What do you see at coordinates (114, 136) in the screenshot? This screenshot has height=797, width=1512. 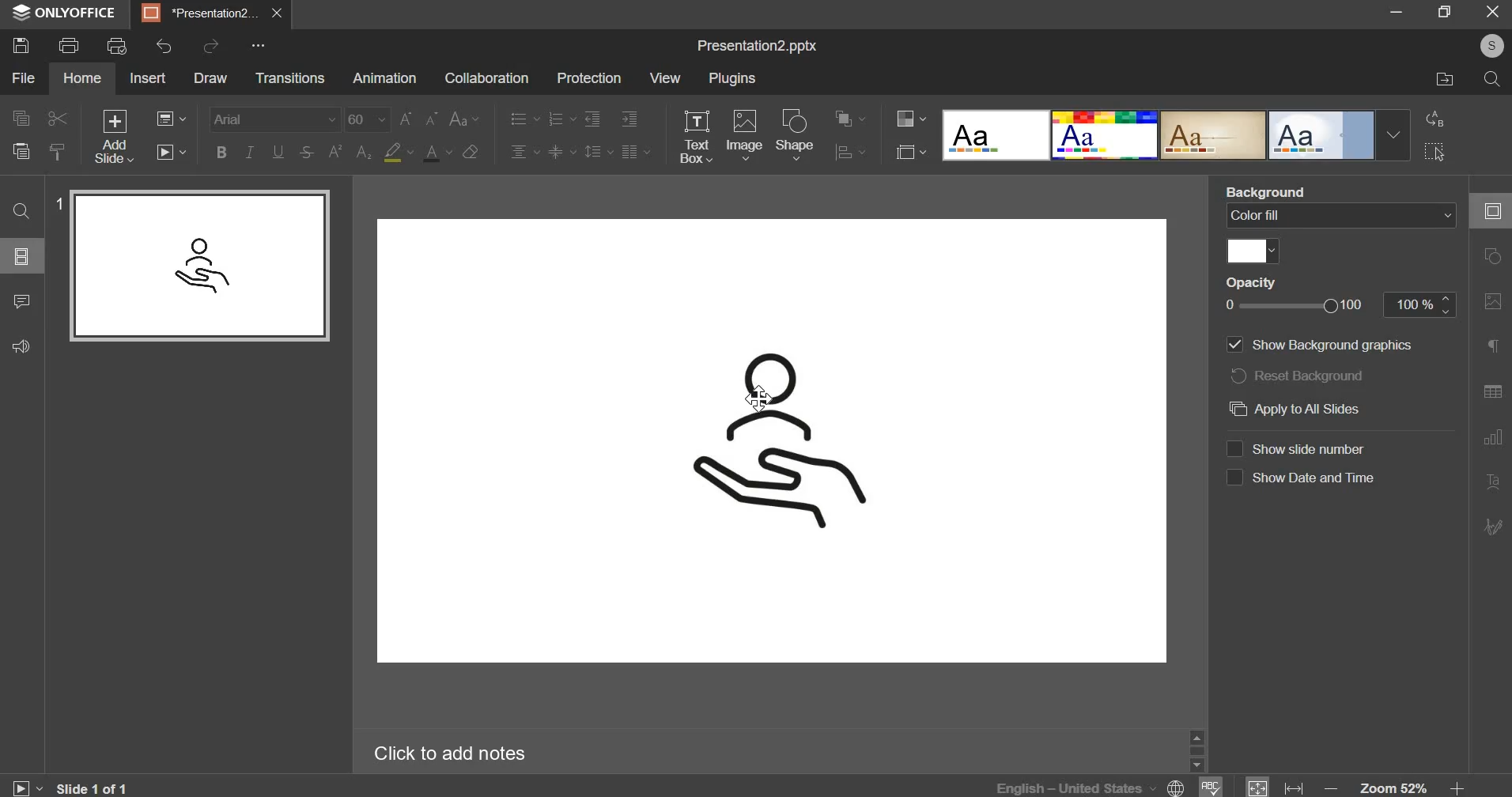 I see `add slides` at bounding box center [114, 136].